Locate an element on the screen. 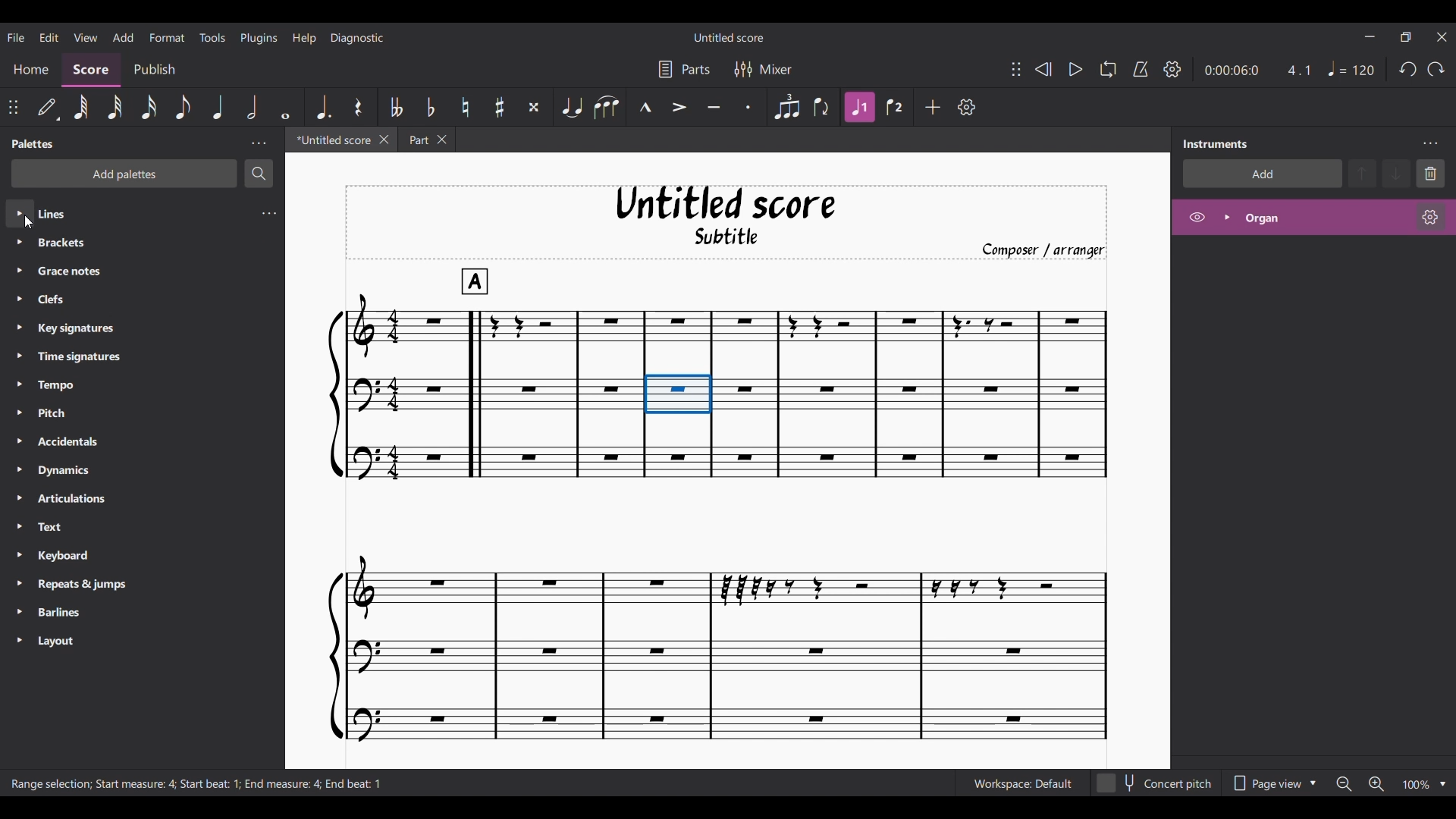 The height and width of the screenshot is (819, 1456). Current zoom factor is located at coordinates (1417, 785).